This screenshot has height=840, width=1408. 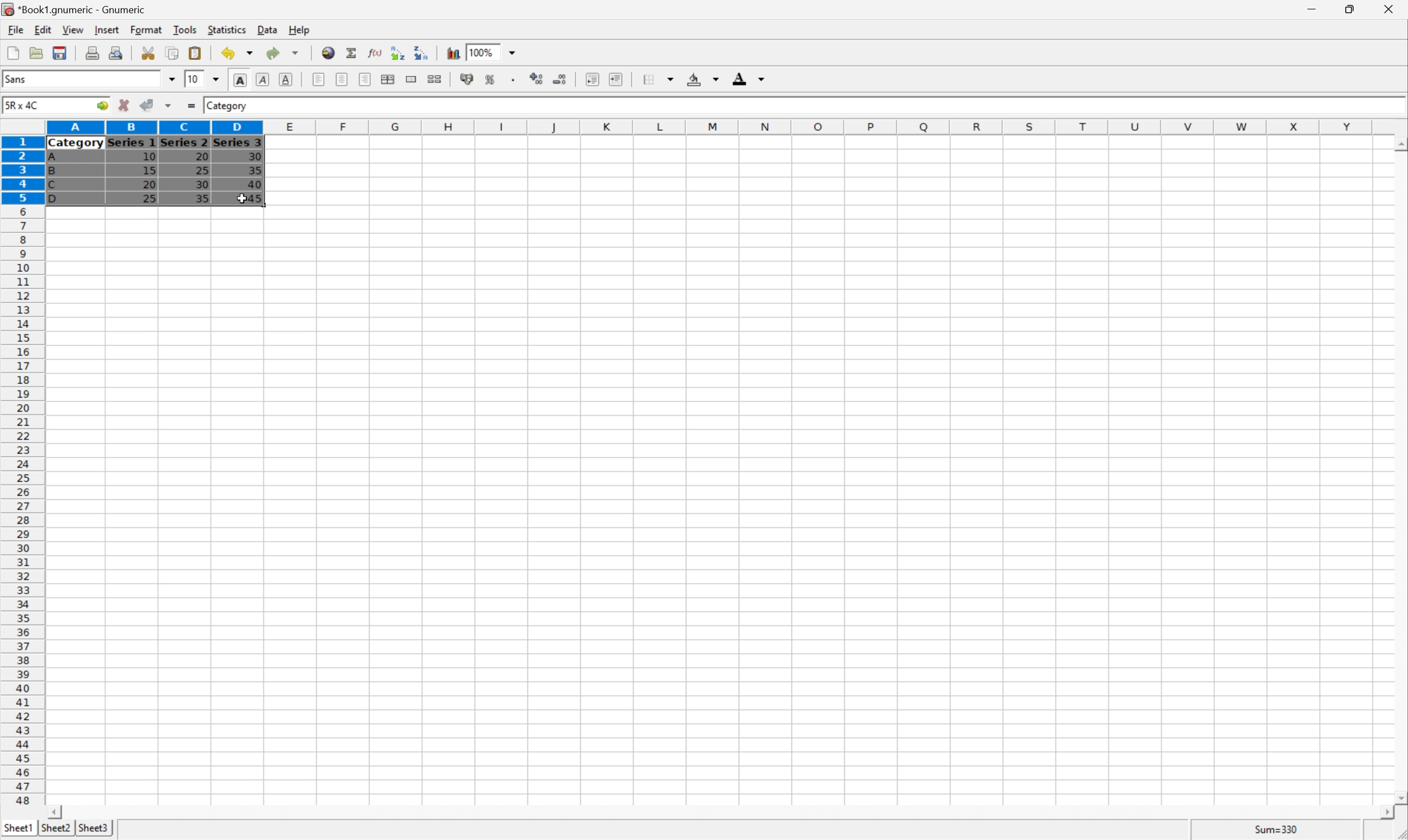 I want to click on Decrease the number of decimals displayed, so click(x=559, y=78).